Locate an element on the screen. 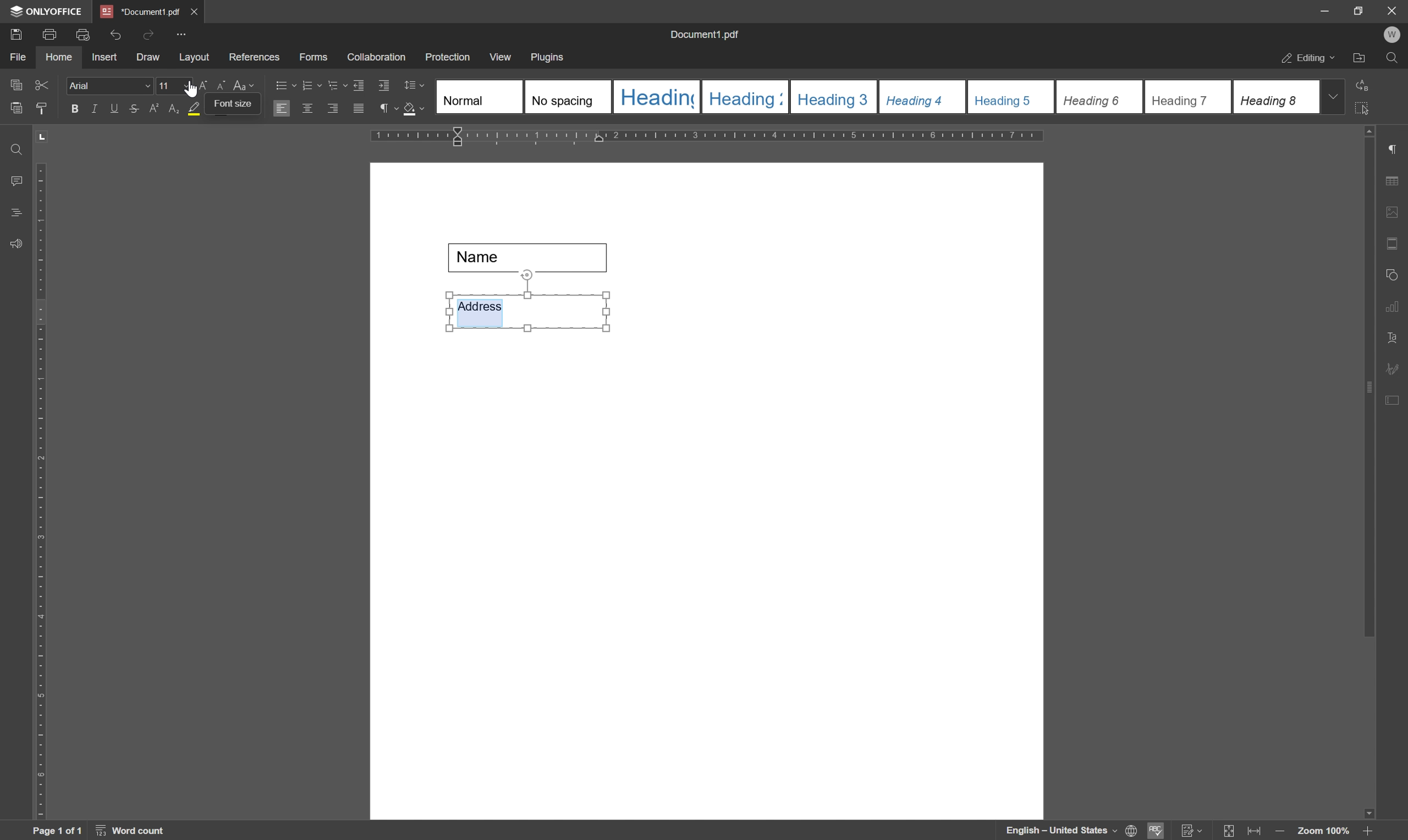 The width and height of the screenshot is (1408, 840). close is located at coordinates (1392, 10).